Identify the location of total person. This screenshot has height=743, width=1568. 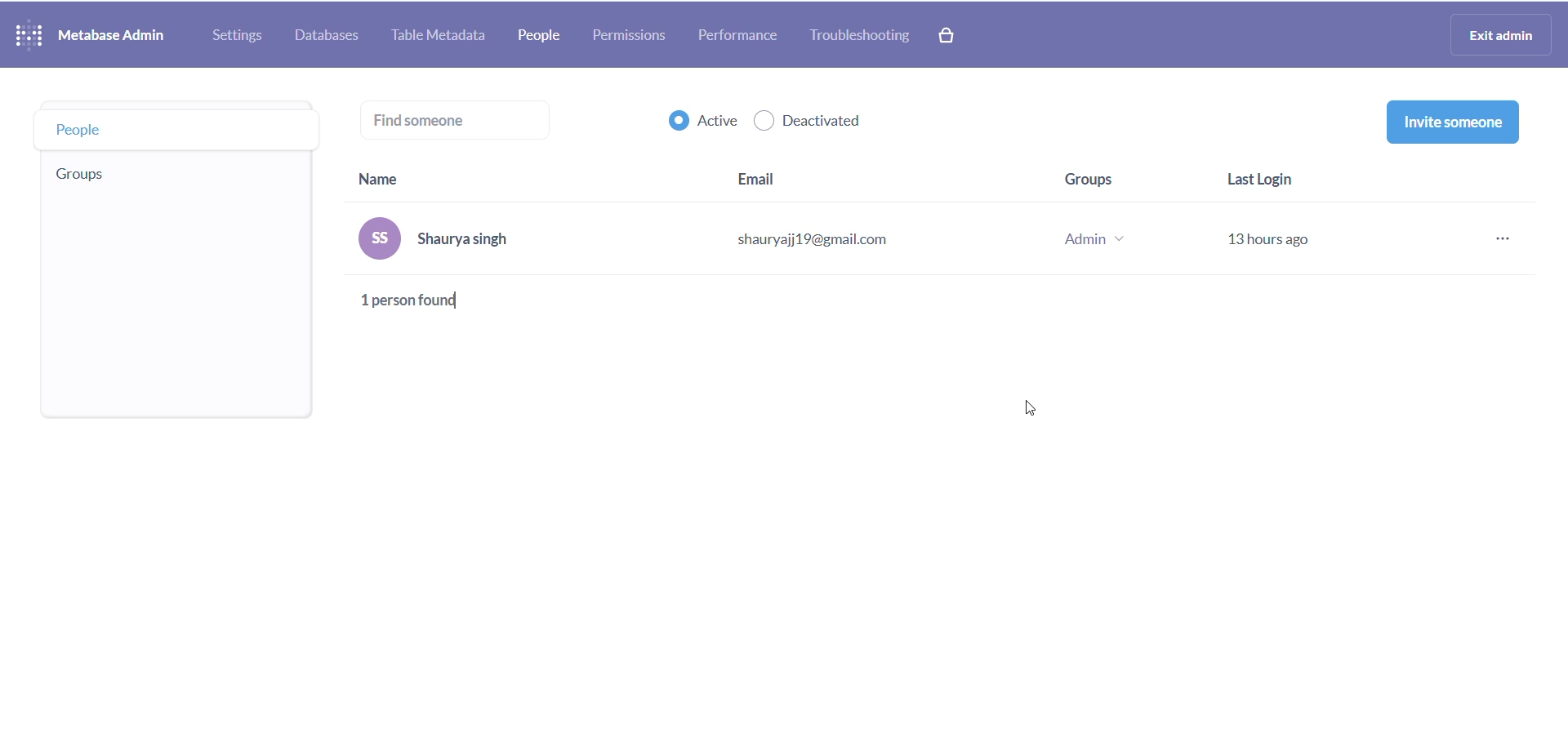
(415, 304).